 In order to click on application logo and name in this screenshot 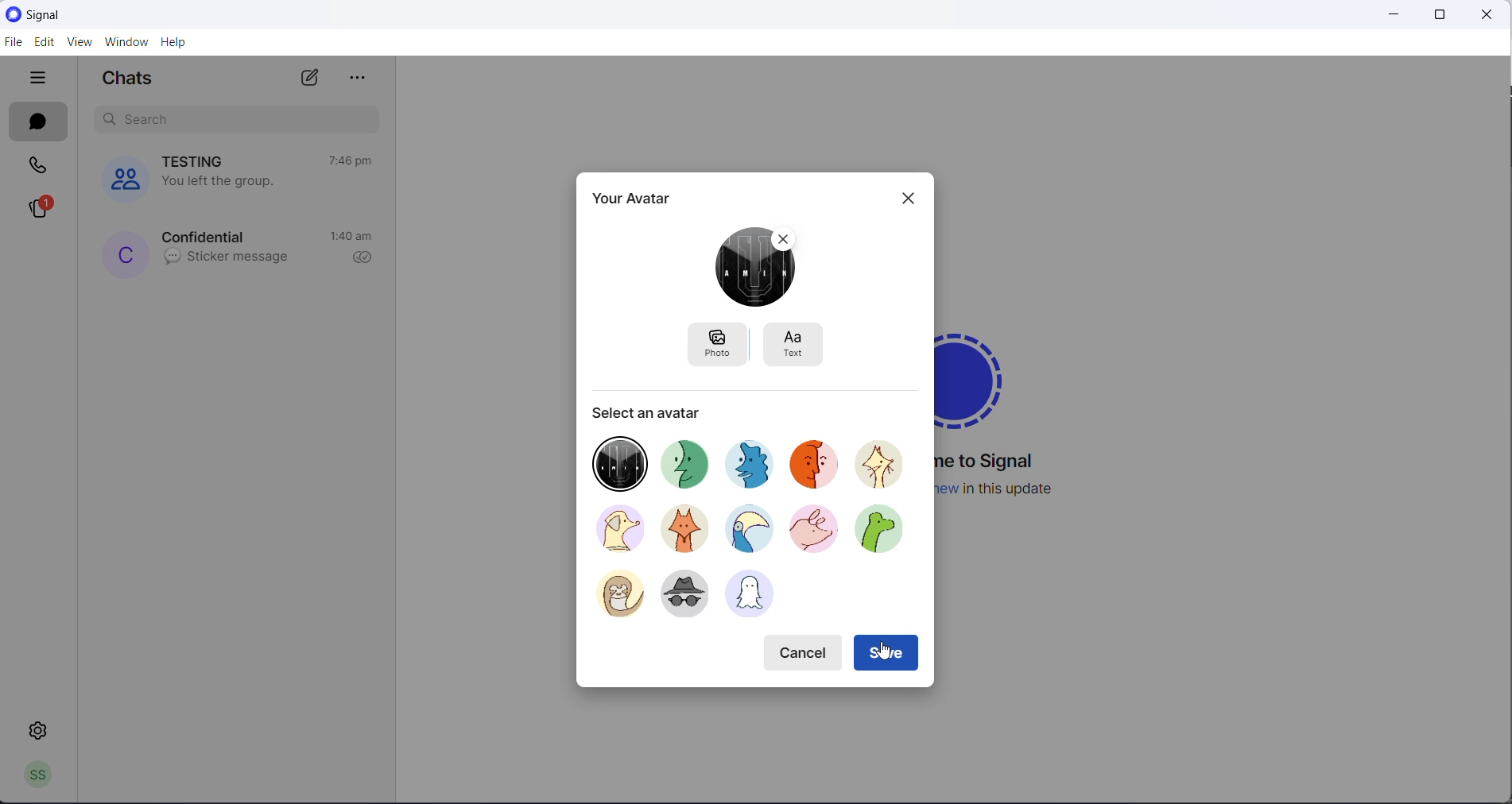, I will do `click(78, 15)`.